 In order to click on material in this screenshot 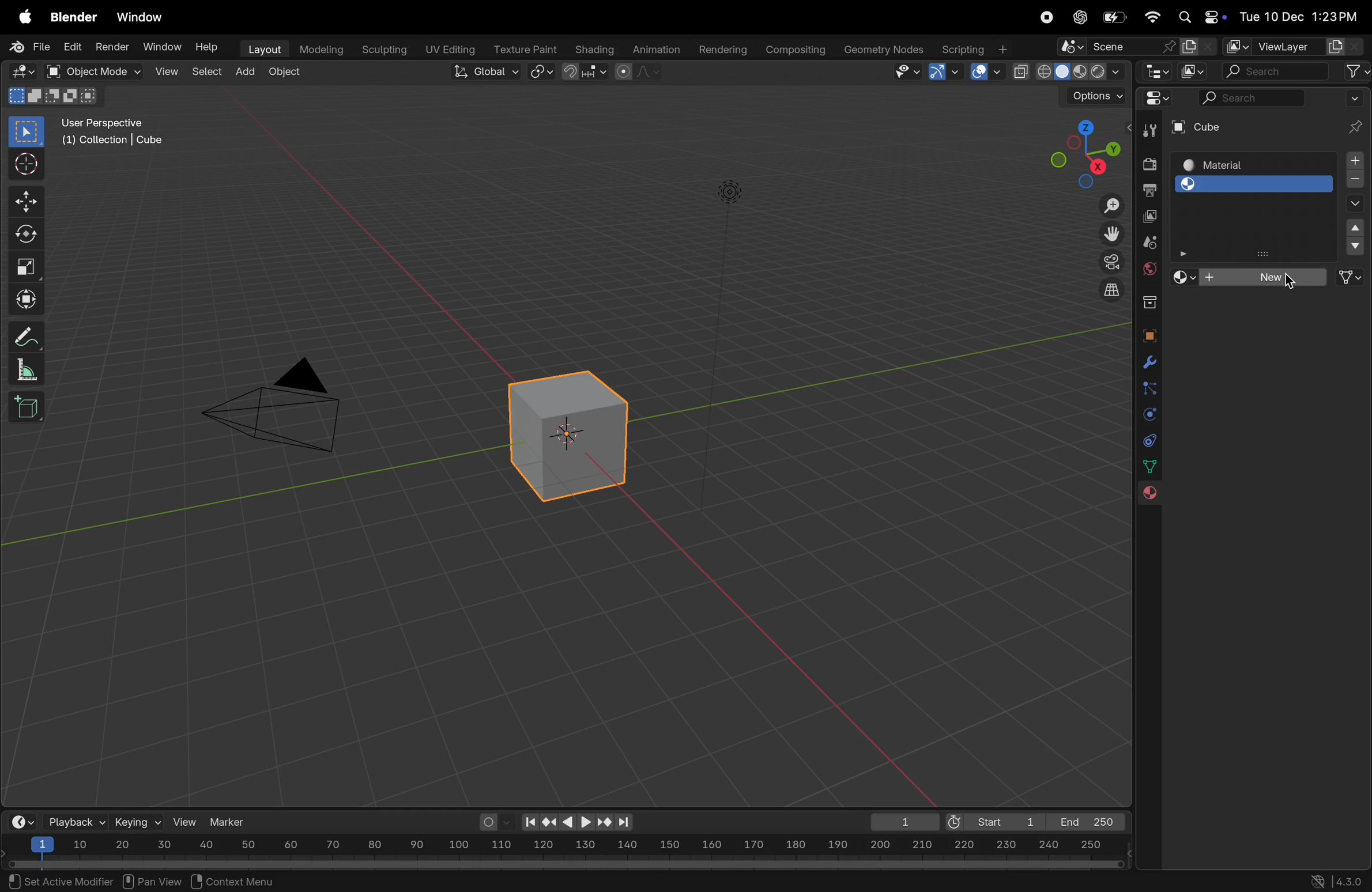, I will do `click(1146, 495)`.